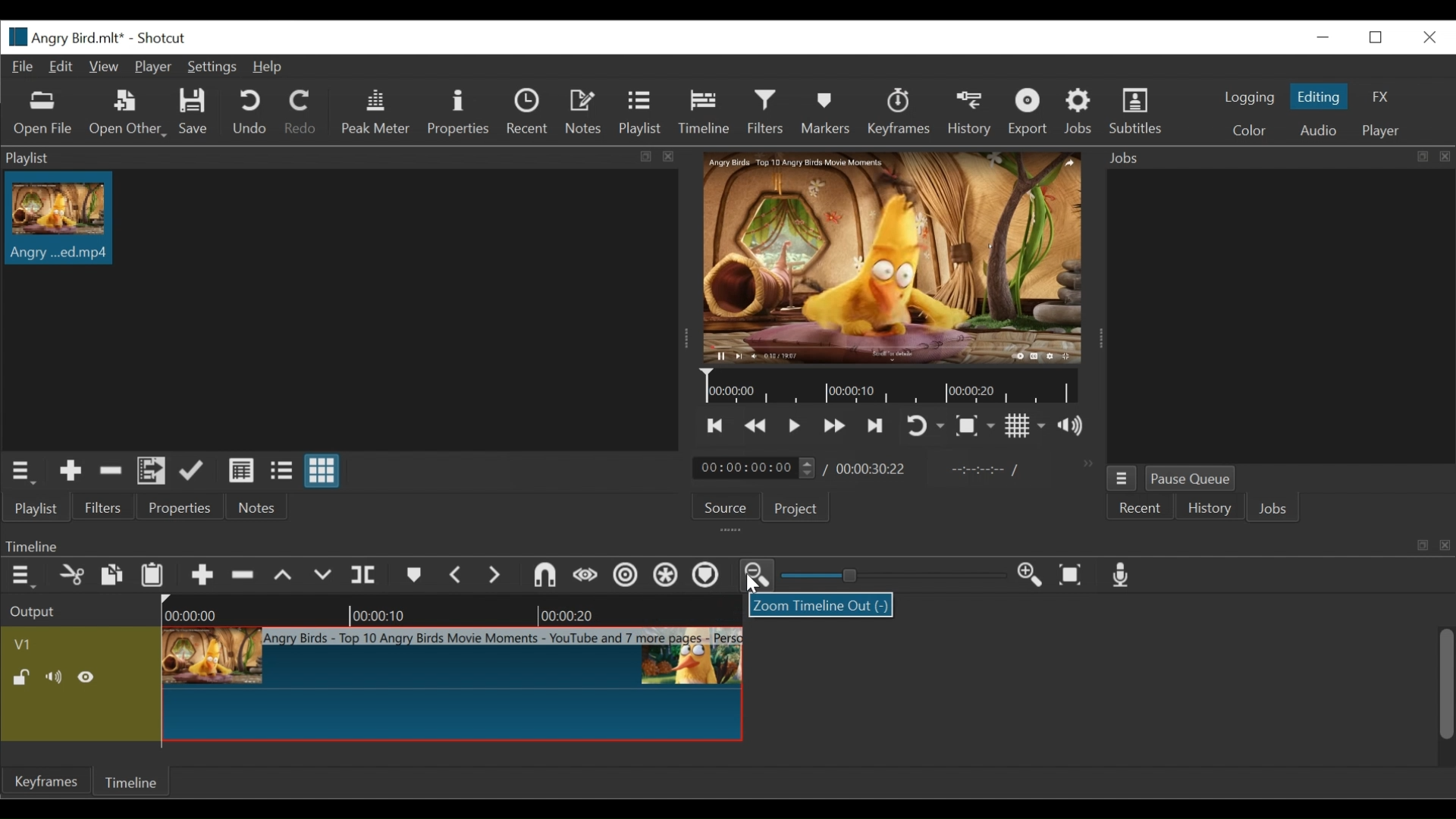 The width and height of the screenshot is (1456, 819). Describe the element at coordinates (58, 218) in the screenshot. I see `Clip` at that location.